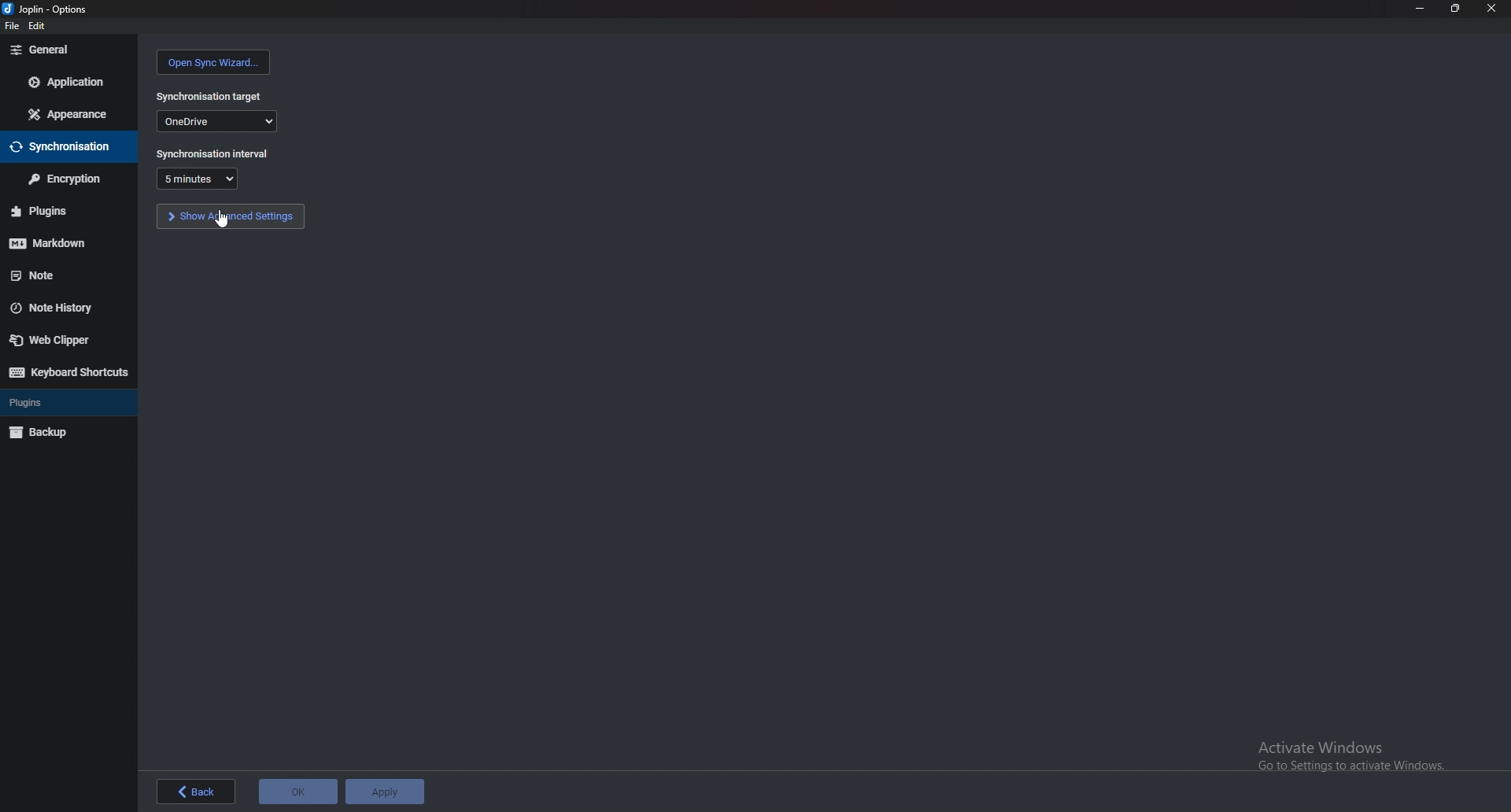 The width and height of the screenshot is (1511, 812). Describe the element at coordinates (1491, 7) in the screenshot. I see `close` at that location.